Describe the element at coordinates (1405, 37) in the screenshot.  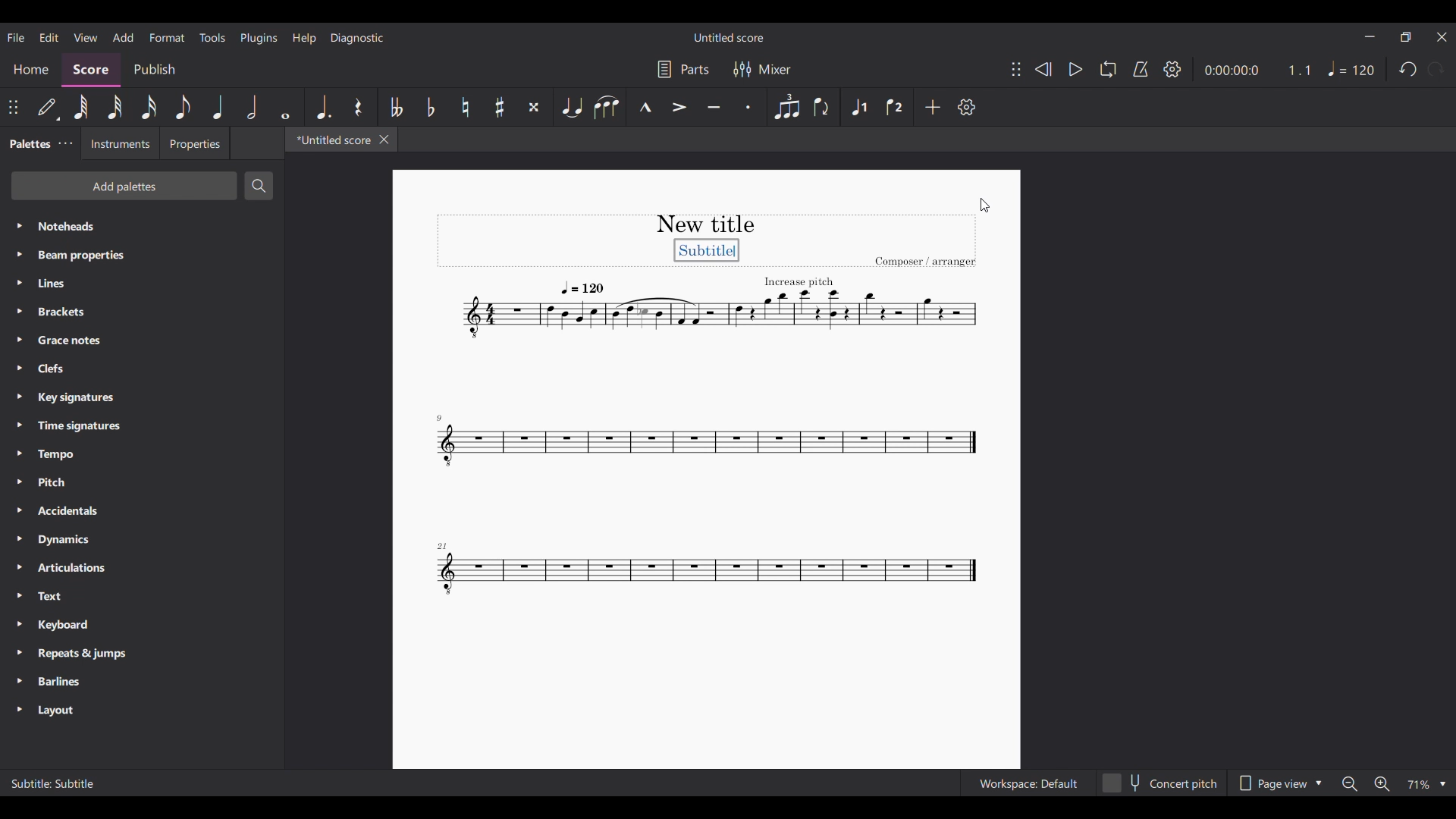
I see `Show in smaller tab` at that location.